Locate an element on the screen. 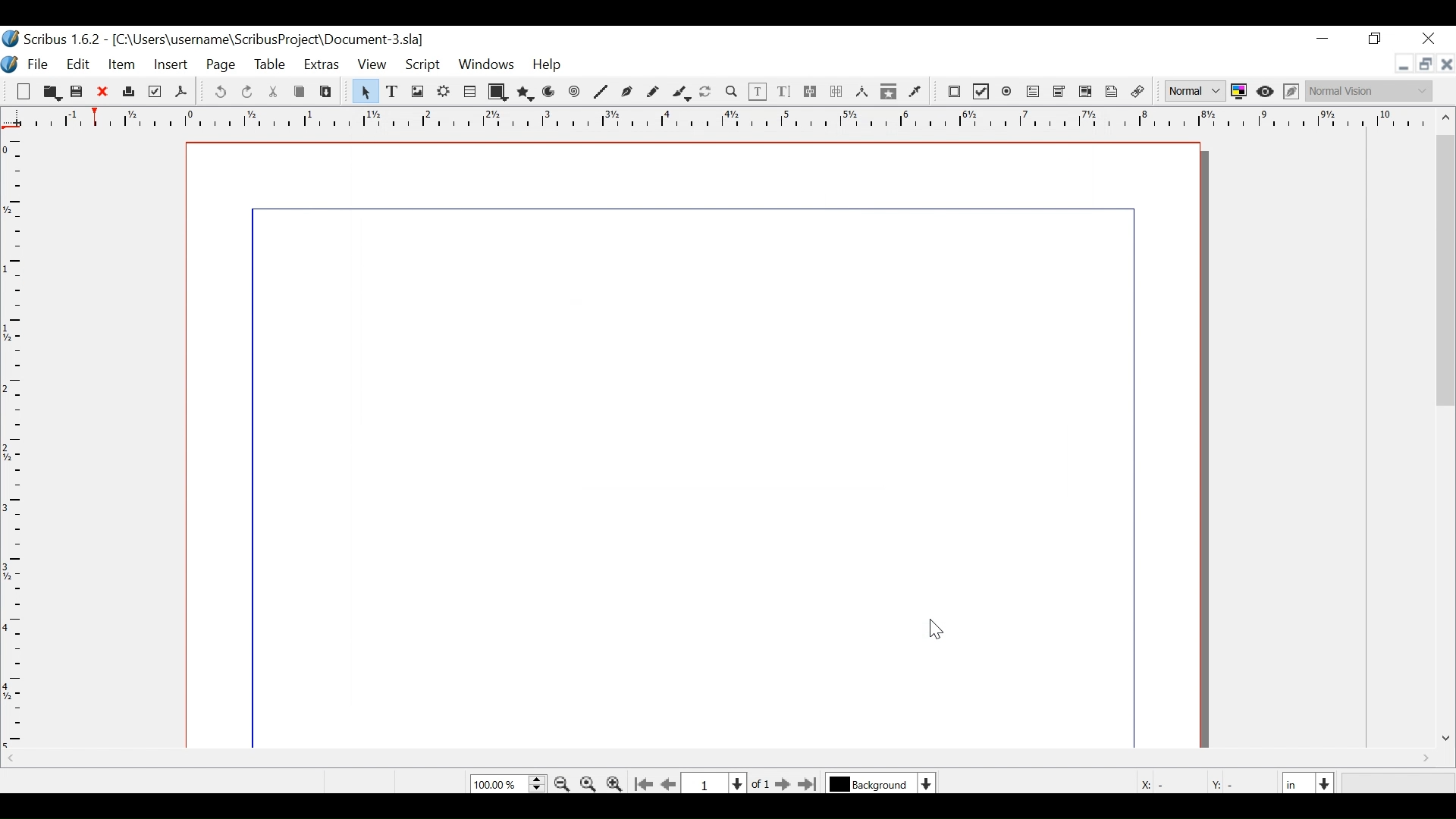 The width and height of the screenshot is (1456, 819). Windows is located at coordinates (485, 67).